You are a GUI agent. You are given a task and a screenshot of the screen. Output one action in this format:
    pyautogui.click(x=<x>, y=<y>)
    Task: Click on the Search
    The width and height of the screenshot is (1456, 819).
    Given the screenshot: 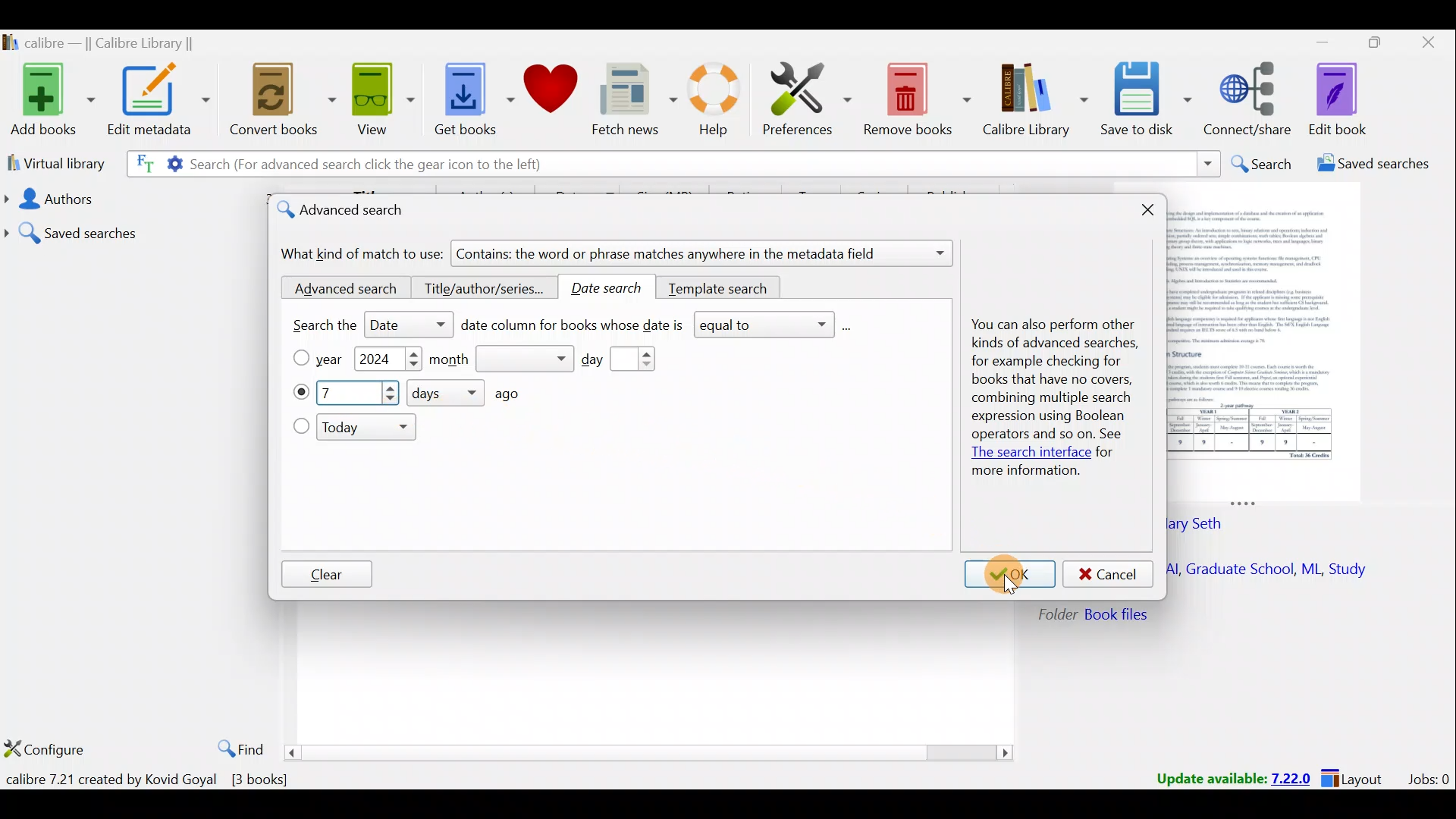 What is the action you would take?
    pyautogui.click(x=1260, y=164)
    